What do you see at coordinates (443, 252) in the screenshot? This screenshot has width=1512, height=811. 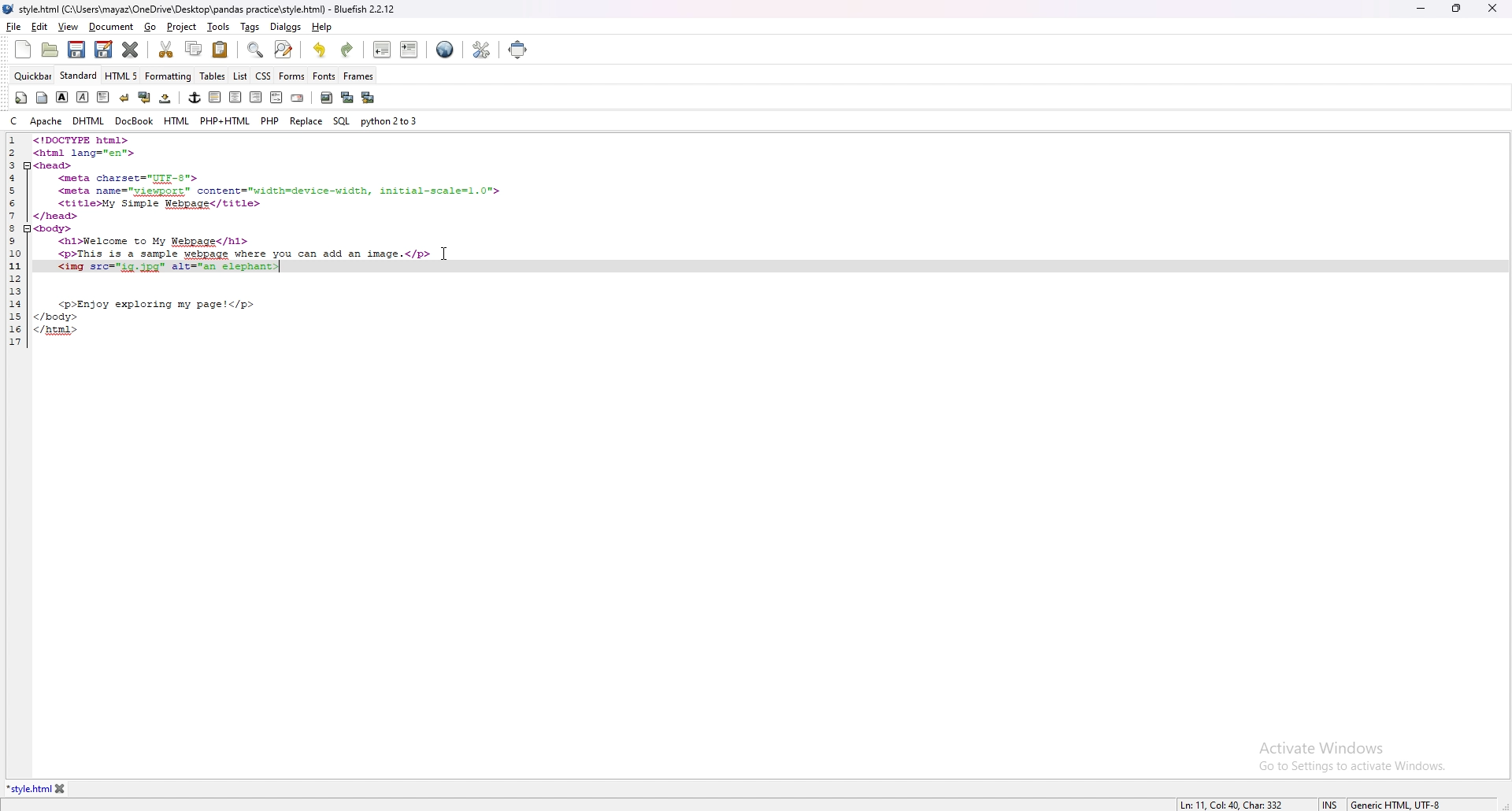 I see `cursor` at bounding box center [443, 252].